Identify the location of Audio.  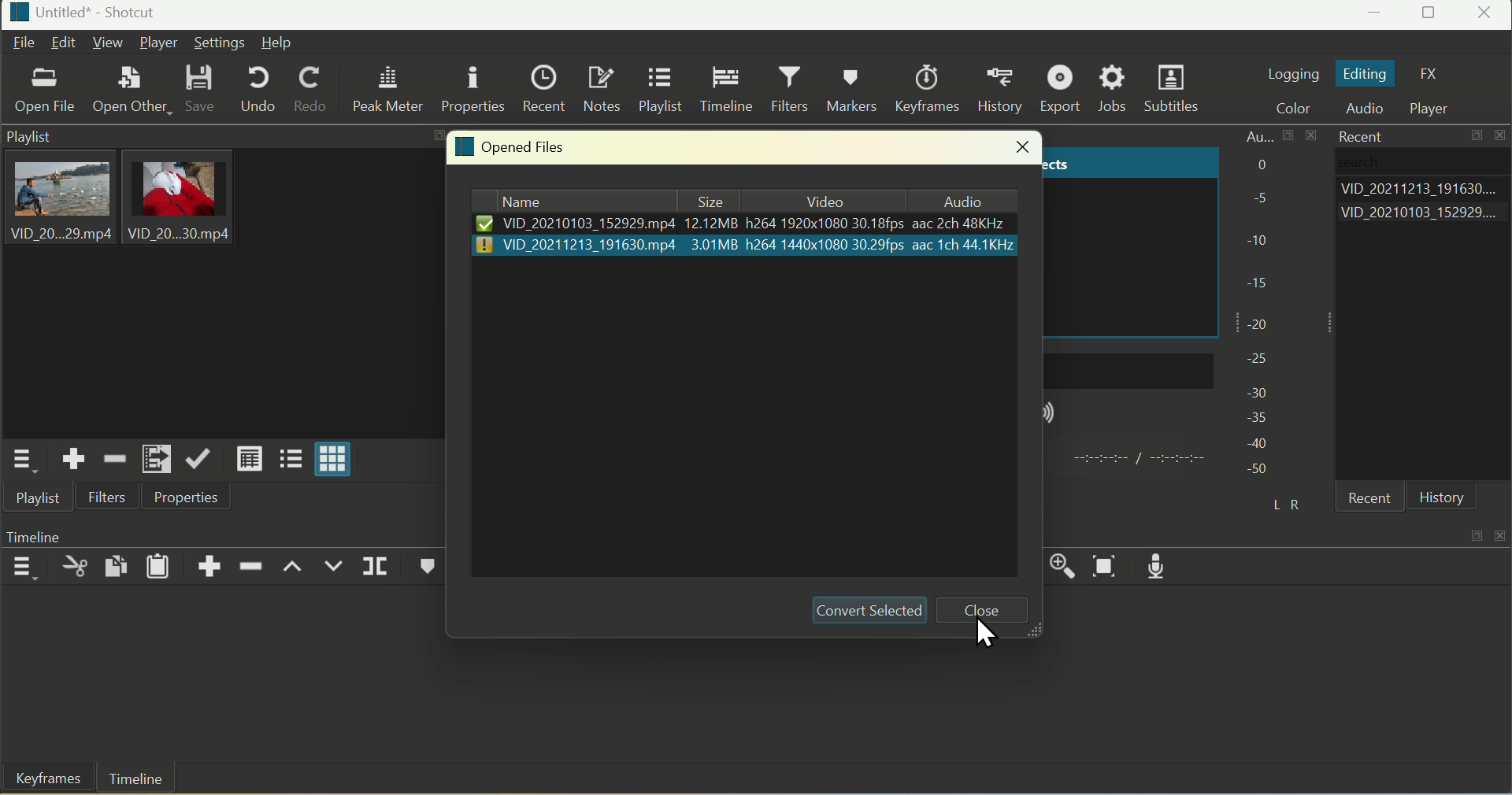
(1370, 109).